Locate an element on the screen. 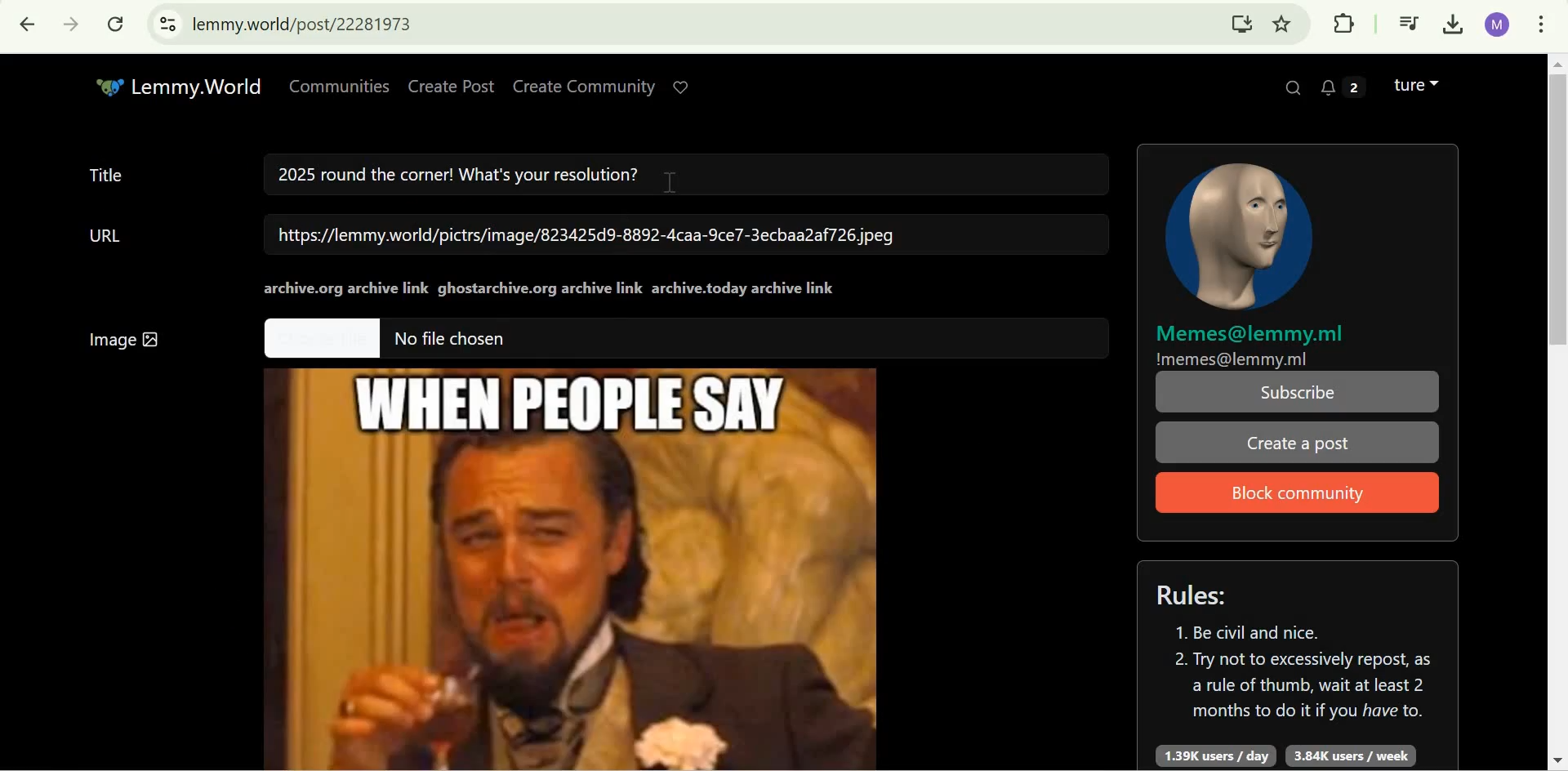  Click to go back, hold to see history is located at coordinates (29, 25).